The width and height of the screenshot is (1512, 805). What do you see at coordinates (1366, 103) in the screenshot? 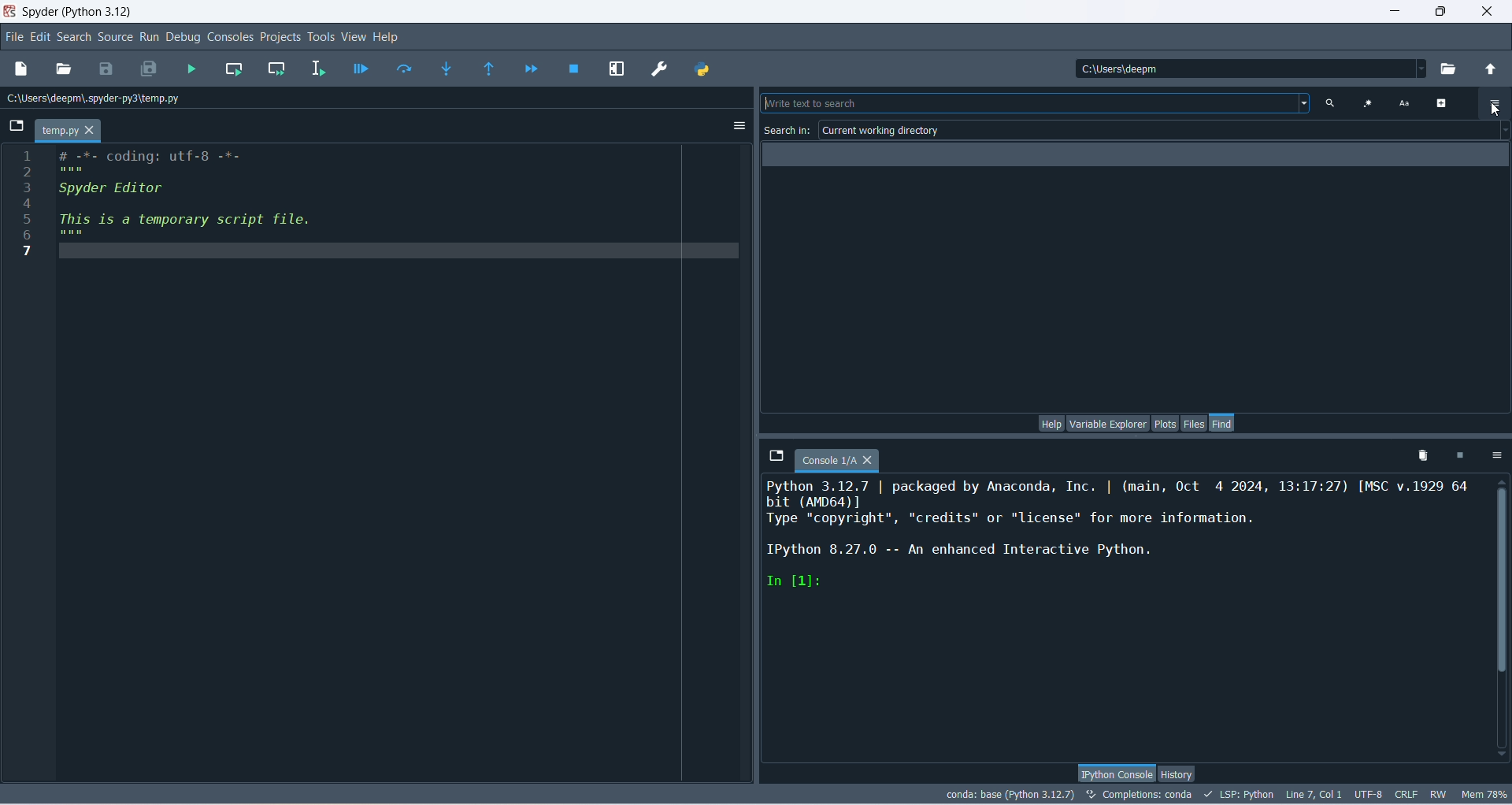
I see `use regular expression` at bounding box center [1366, 103].